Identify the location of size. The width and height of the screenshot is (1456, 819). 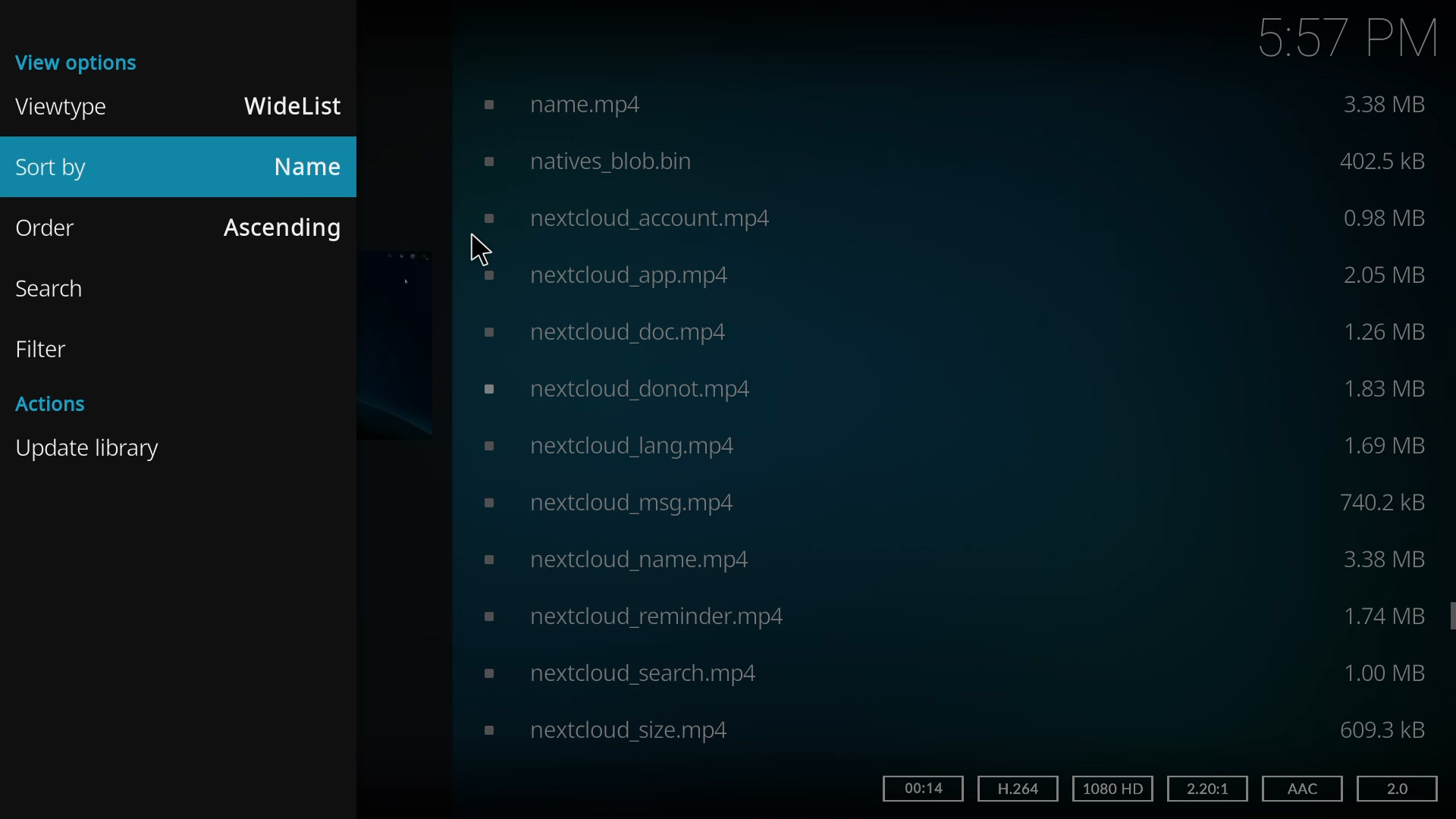
(1384, 329).